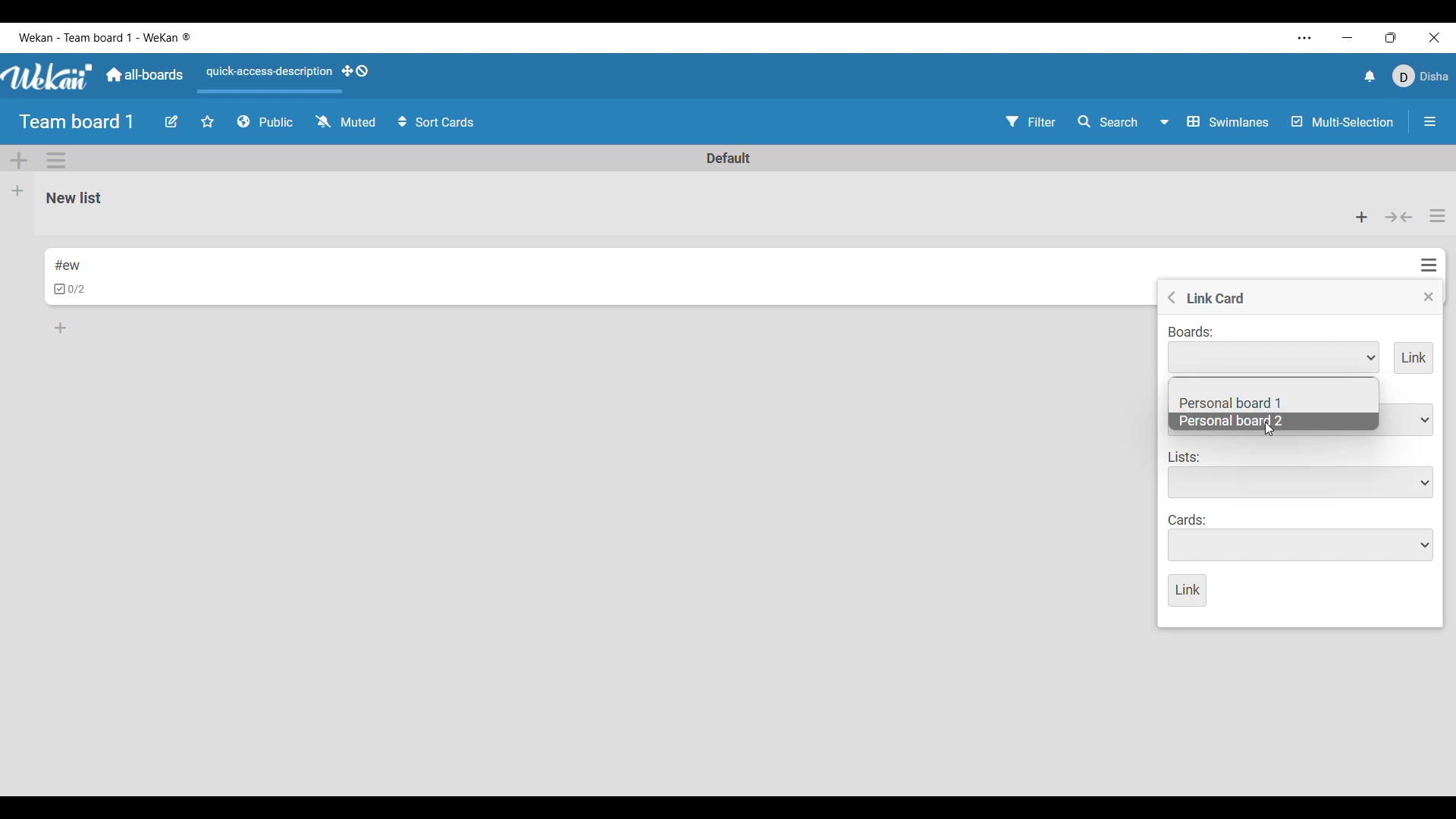 Image resolution: width=1456 pixels, height=819 pixels. Describe the element at coordinates (1188, 591) in the screenshot. I see `Save inputs made` at that location.